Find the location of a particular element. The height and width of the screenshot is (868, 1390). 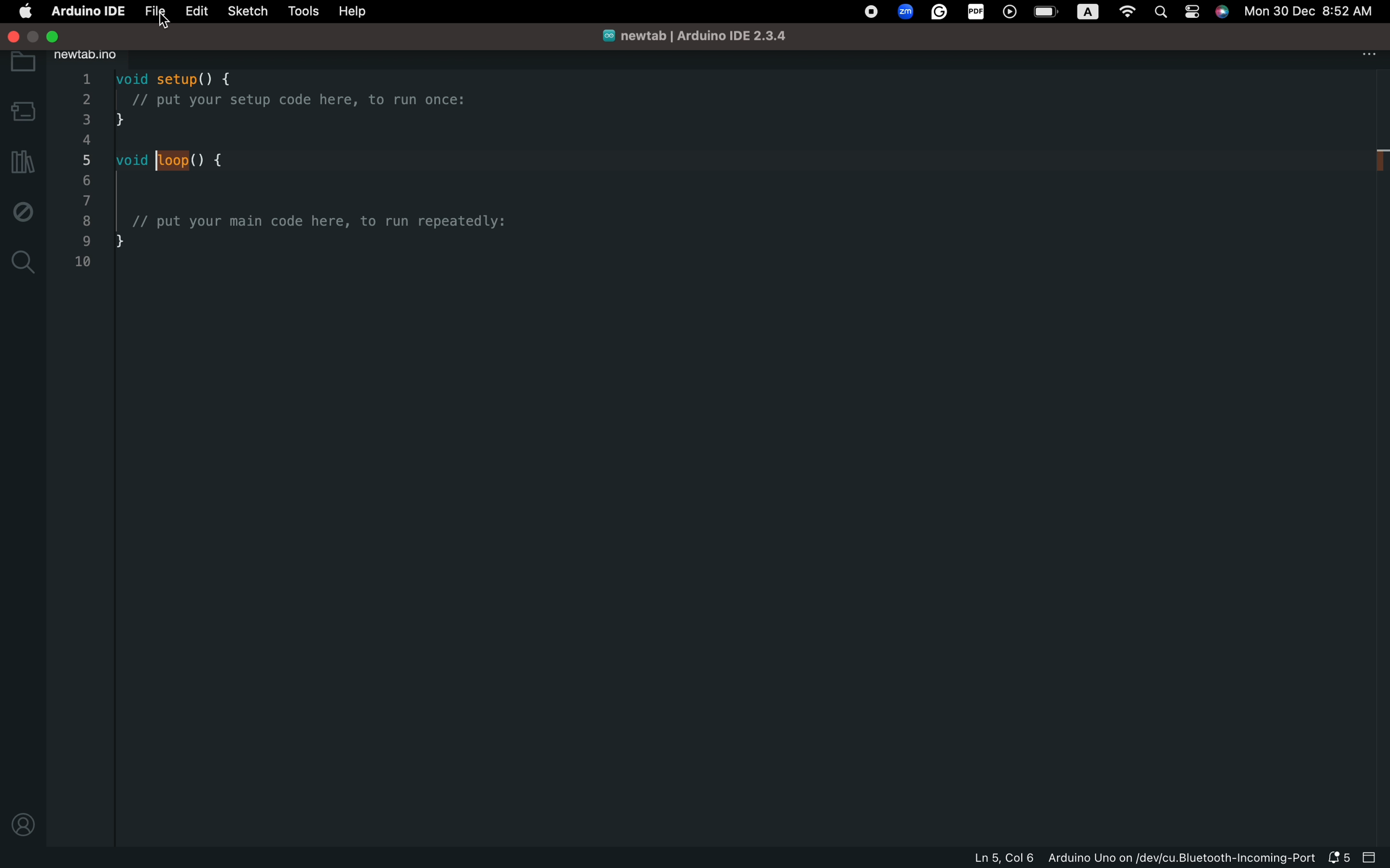

wifi is located at coordinates (1130, 13).